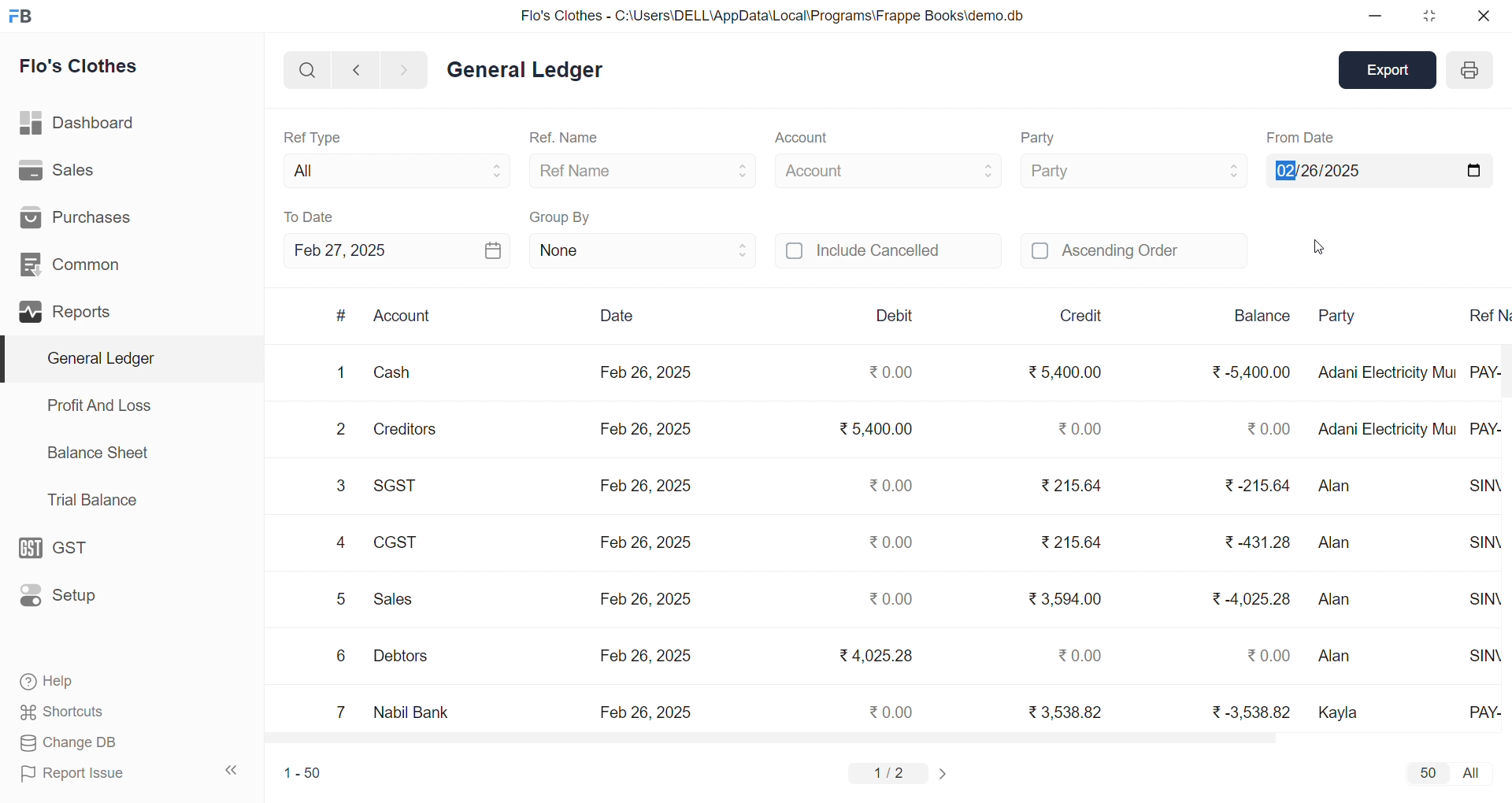  I want to click on RESIZE, so click(1426, 16).